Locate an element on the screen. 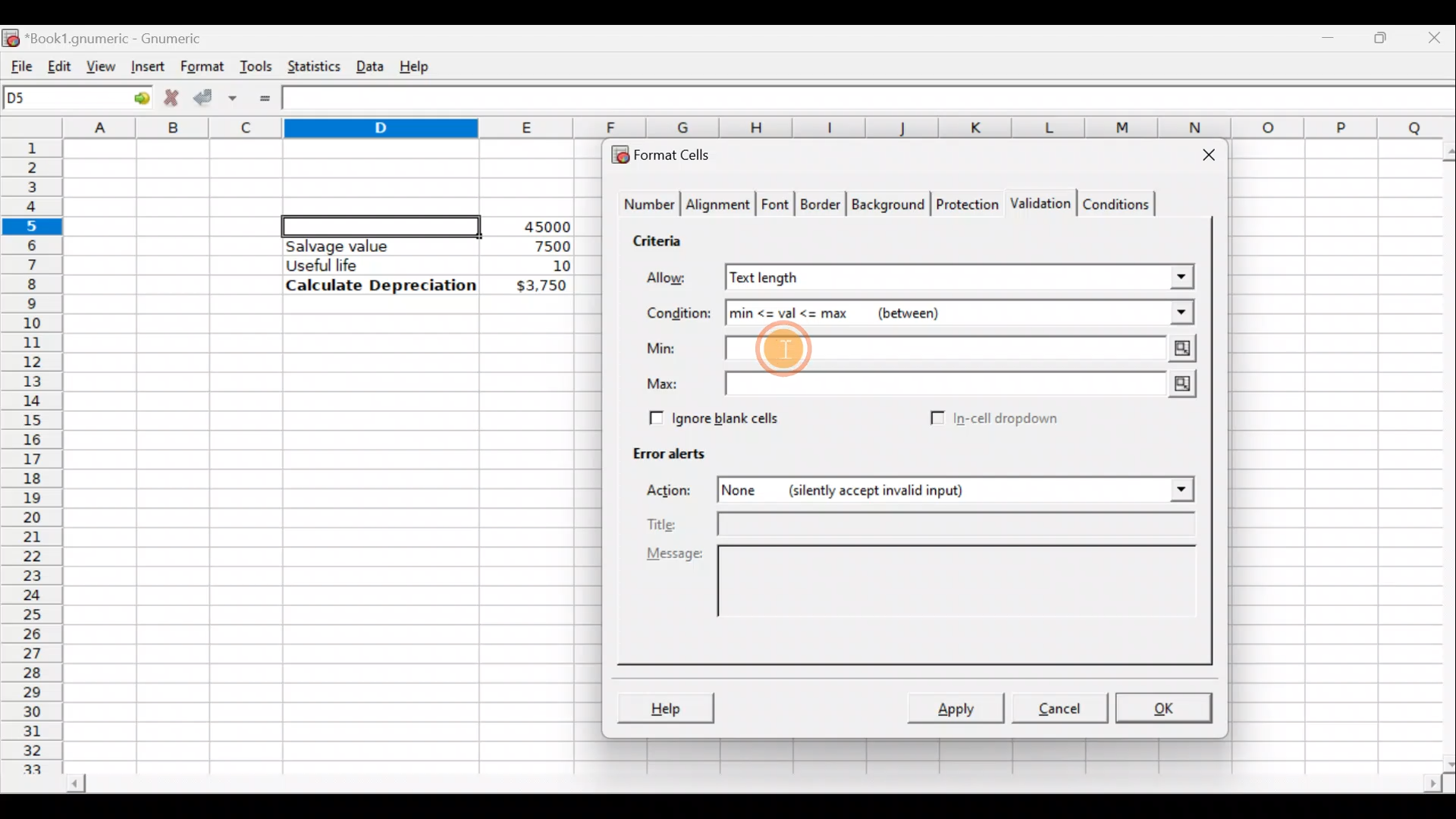  Any value (no validation) is located at coordinates (929, 277).